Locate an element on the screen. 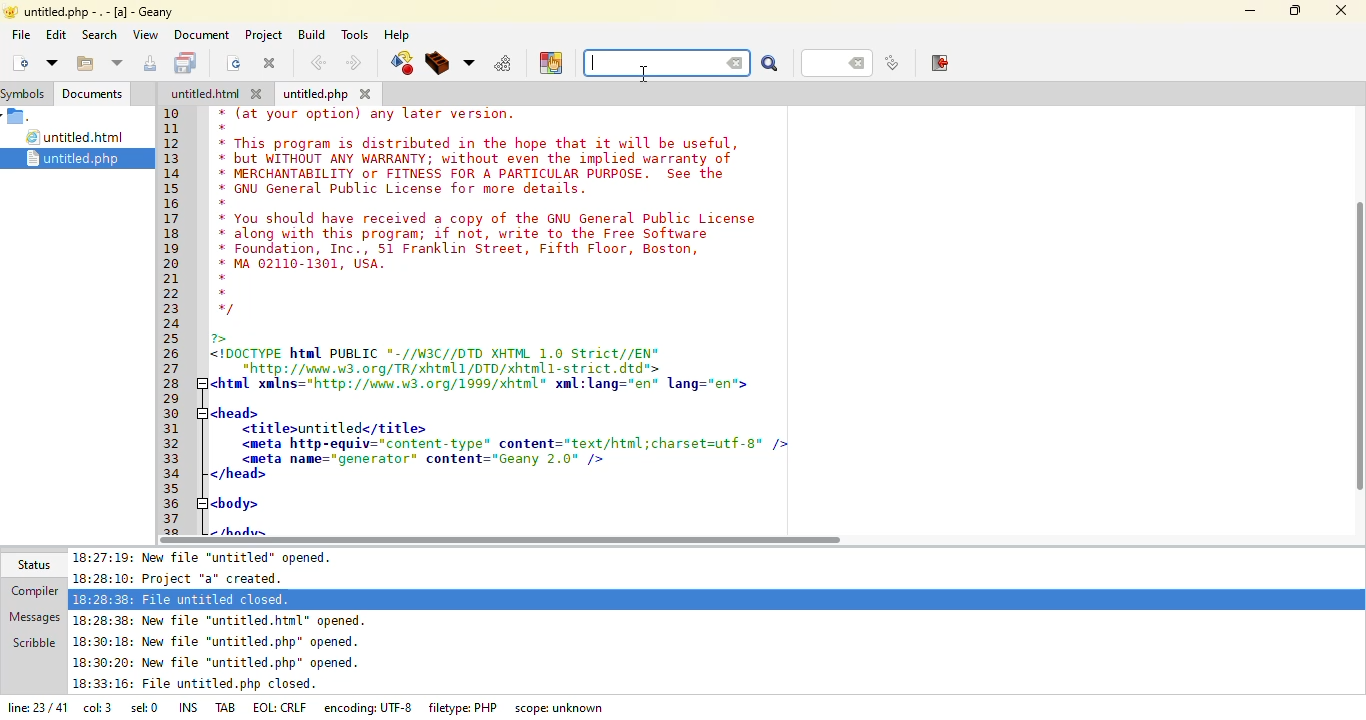 Image resolution: width=1366 pixels, height=720 pixels. new is located at coordinates (19, 62).